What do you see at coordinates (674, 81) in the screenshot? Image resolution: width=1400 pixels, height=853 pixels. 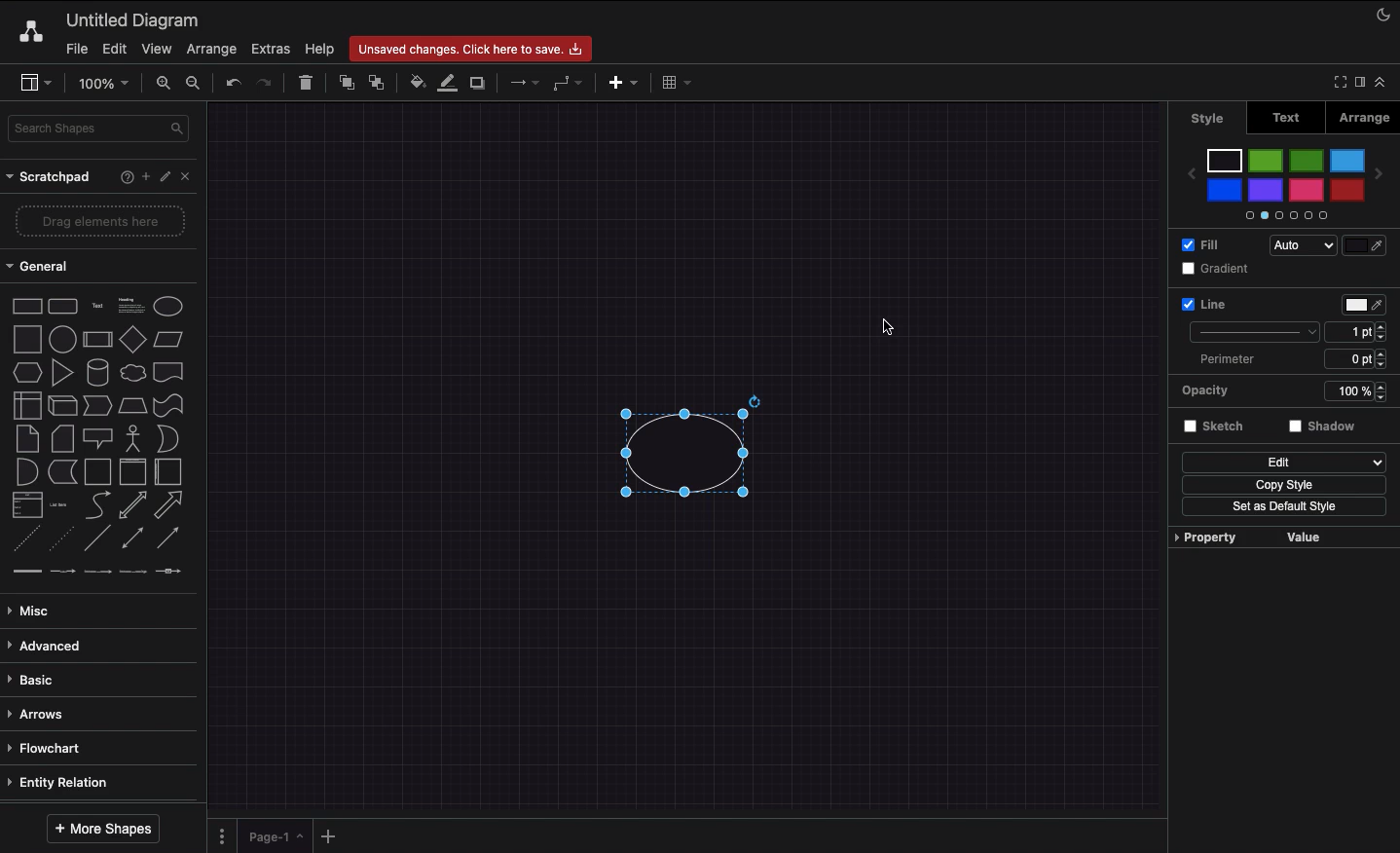 I see `Table` at bounding box center [674, 81].